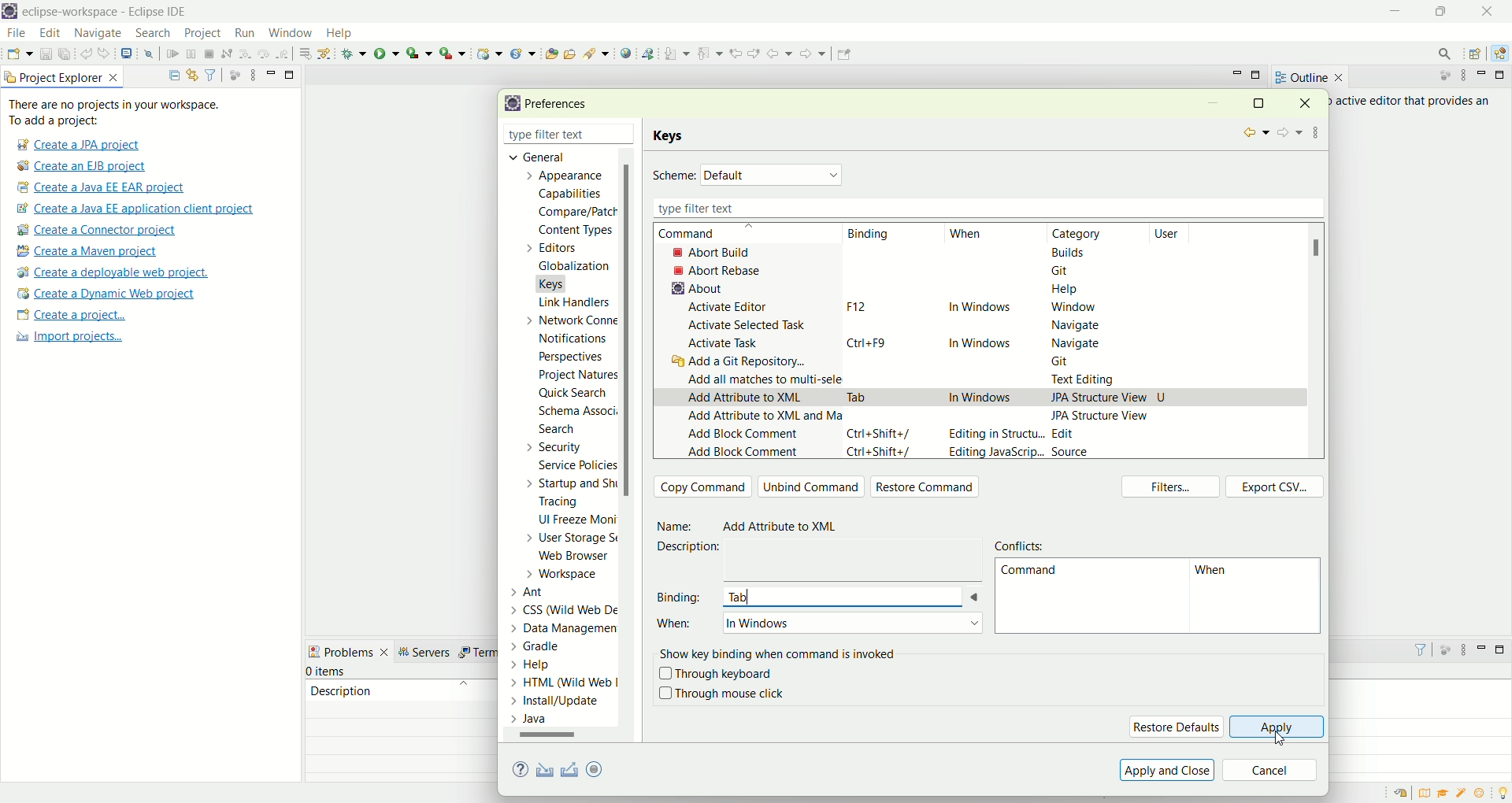 The image size is (1512, 803). What do you see at coordinates (245, 52) in the screenshot?
I see `step into` at bounding box center [245, 52].